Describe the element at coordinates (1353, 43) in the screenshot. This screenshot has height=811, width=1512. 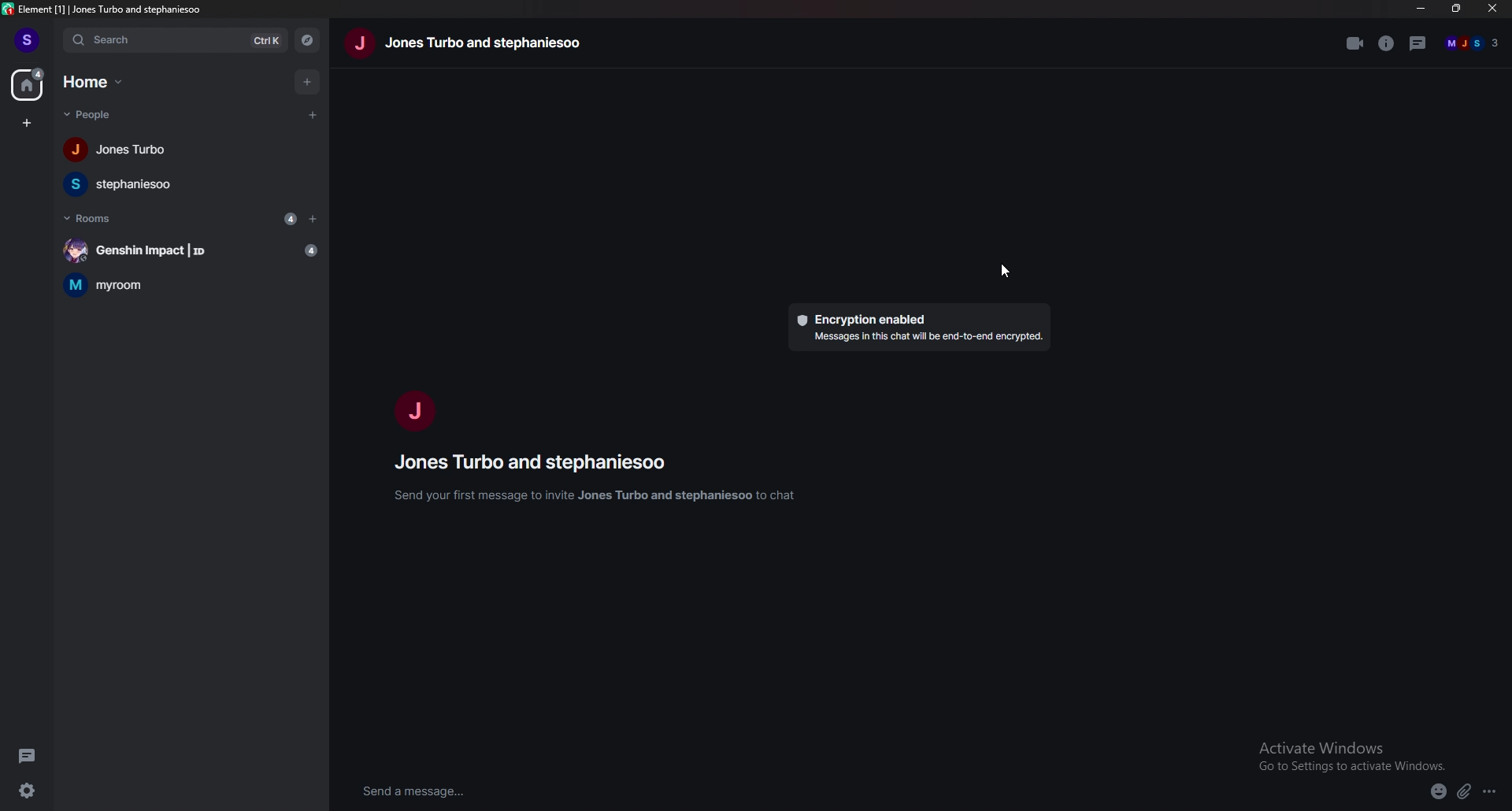
I see `video call` at that location.